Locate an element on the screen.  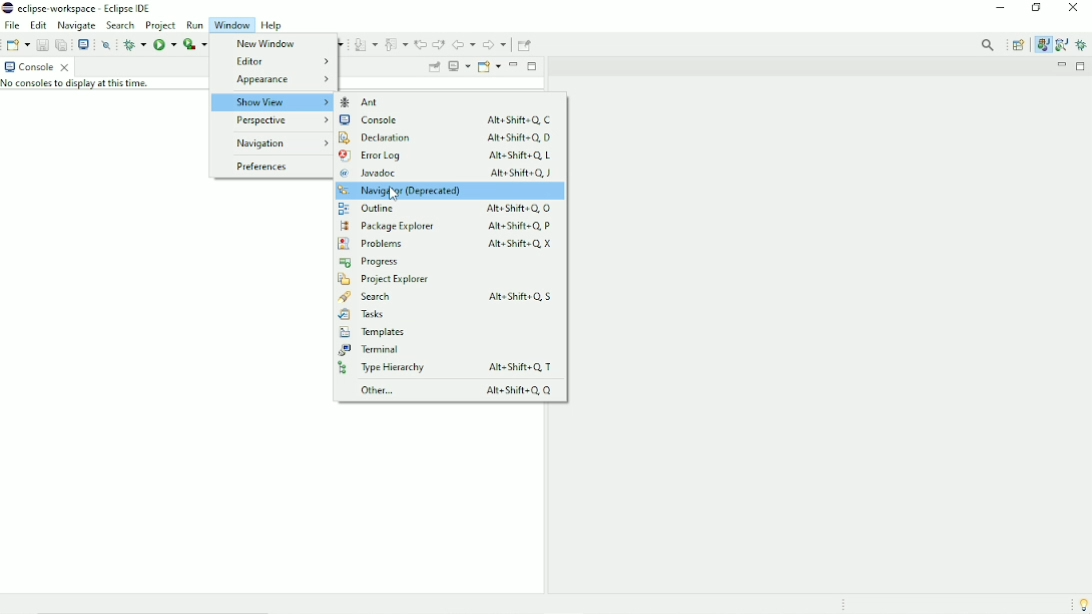
Next Annotation is located at coordinates (365, 45).